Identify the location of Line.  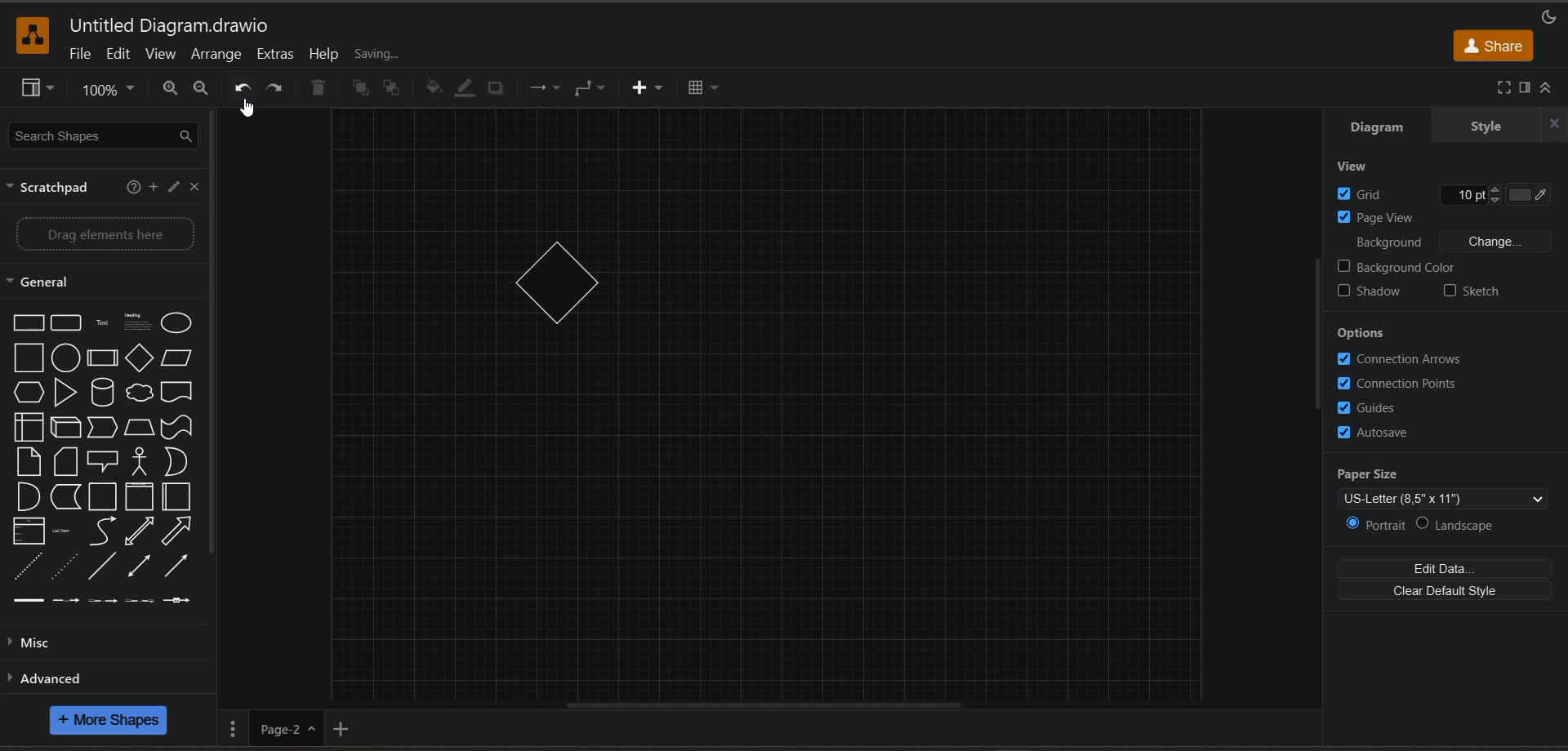
(103, 567).